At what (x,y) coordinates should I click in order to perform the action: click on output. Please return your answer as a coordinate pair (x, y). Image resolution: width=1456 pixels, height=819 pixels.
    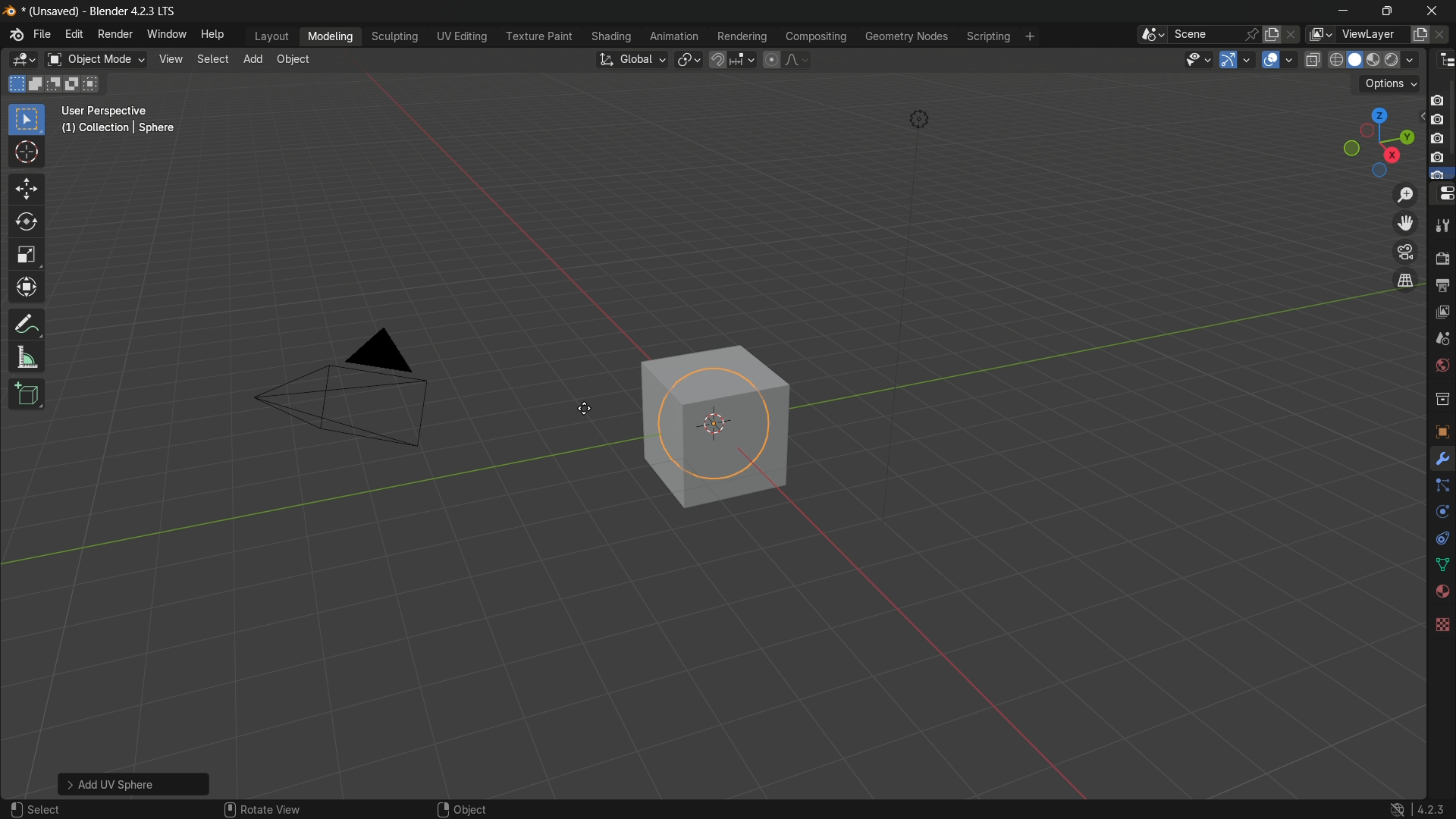
    Looking at the image, I should click on (1442, 284).